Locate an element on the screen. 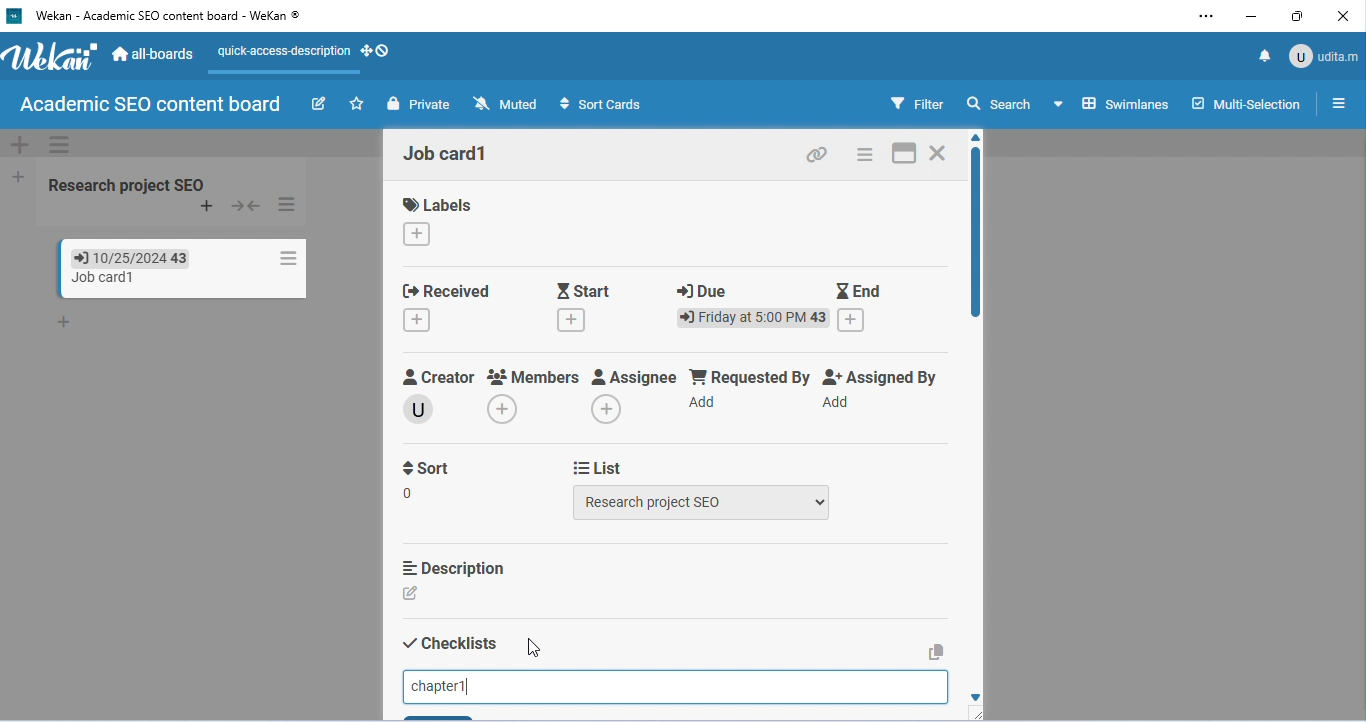  collapse is located at coordinates (248, 206).